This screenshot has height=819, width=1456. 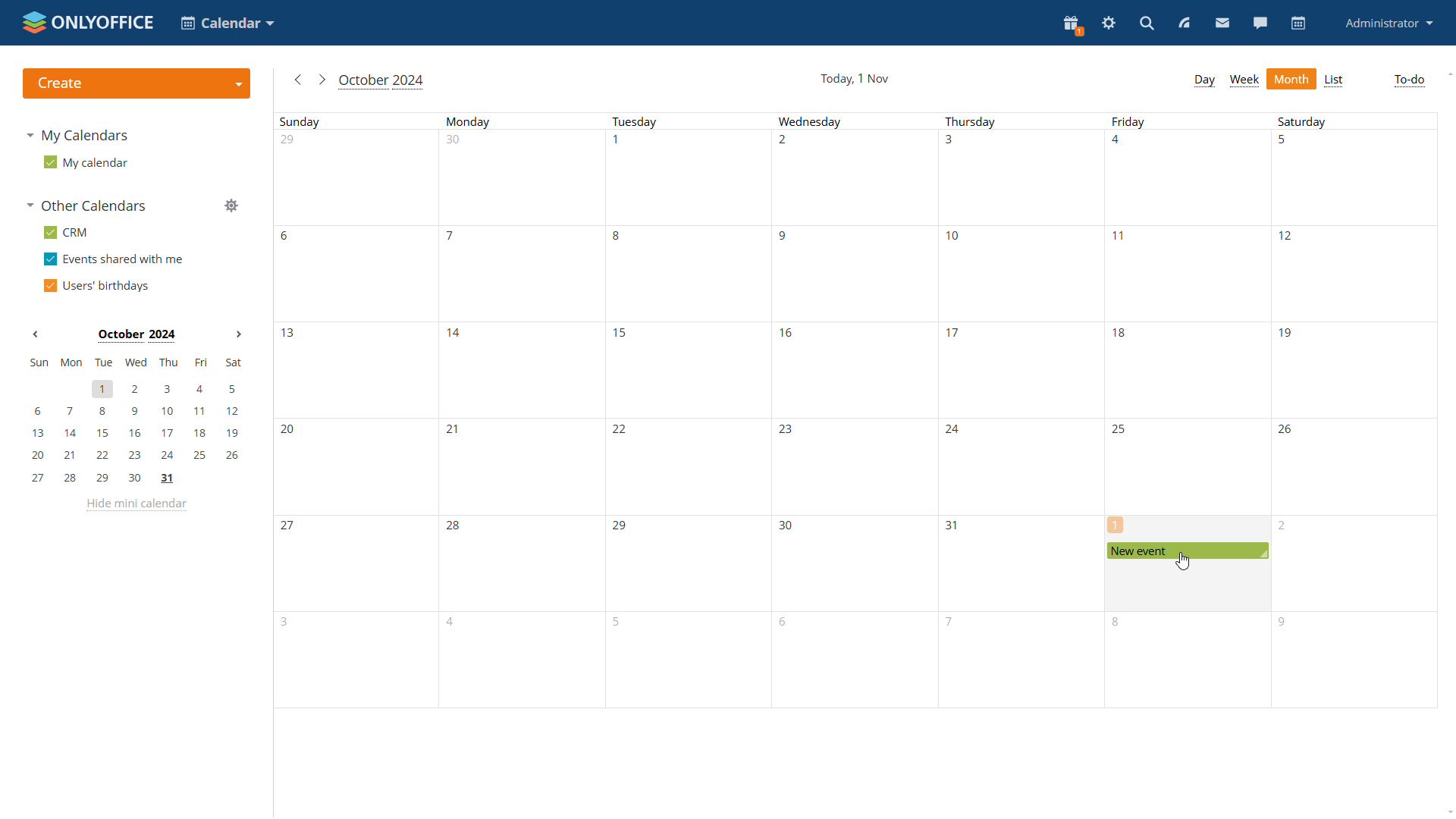 I want to click on hide mini calendar, so click(x=139, y=507).